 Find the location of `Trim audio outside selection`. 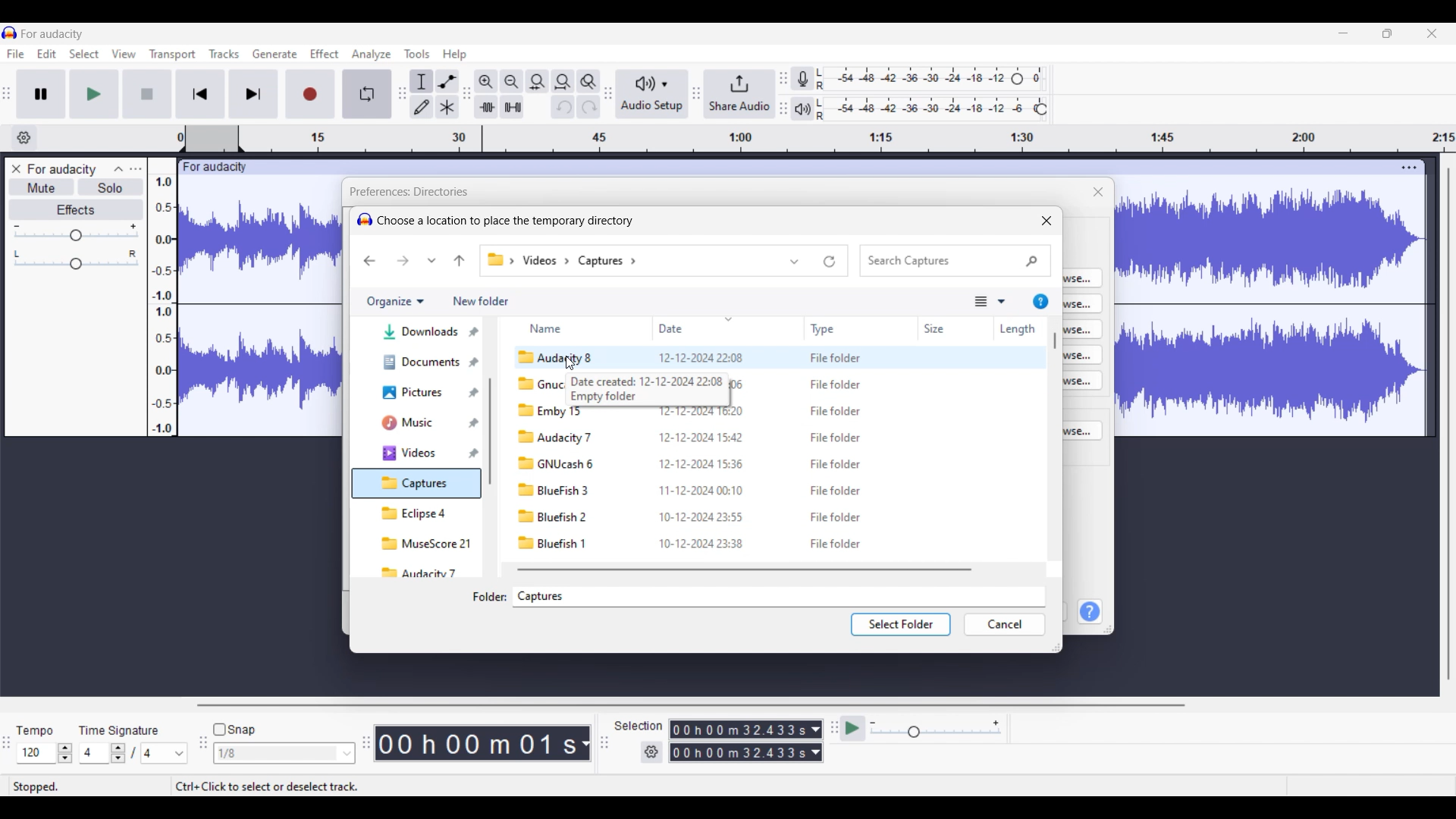

Trim audio outside selection is located at coordinates (486, 106).